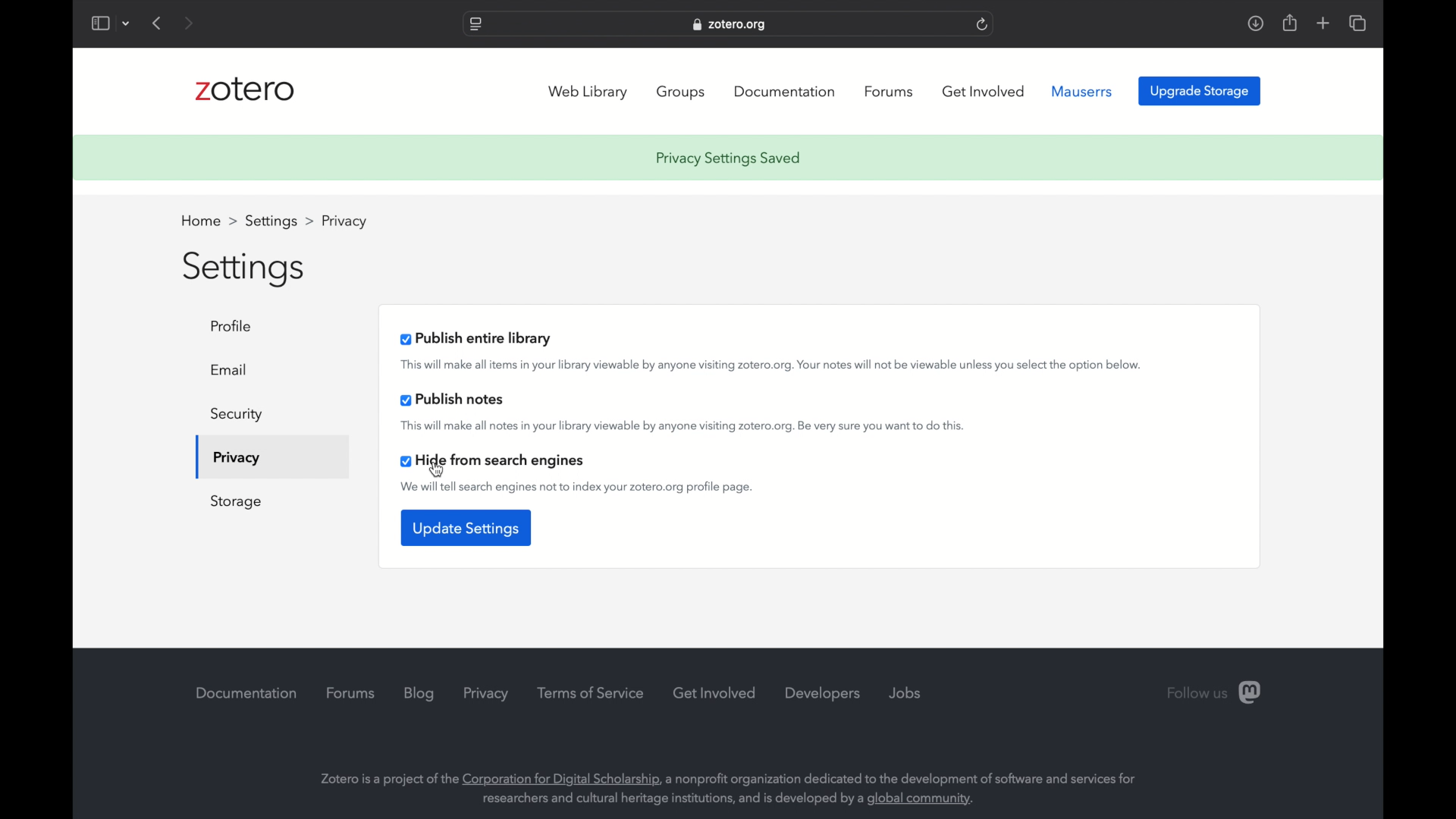  I want to click on zotero, so click(249, 90).